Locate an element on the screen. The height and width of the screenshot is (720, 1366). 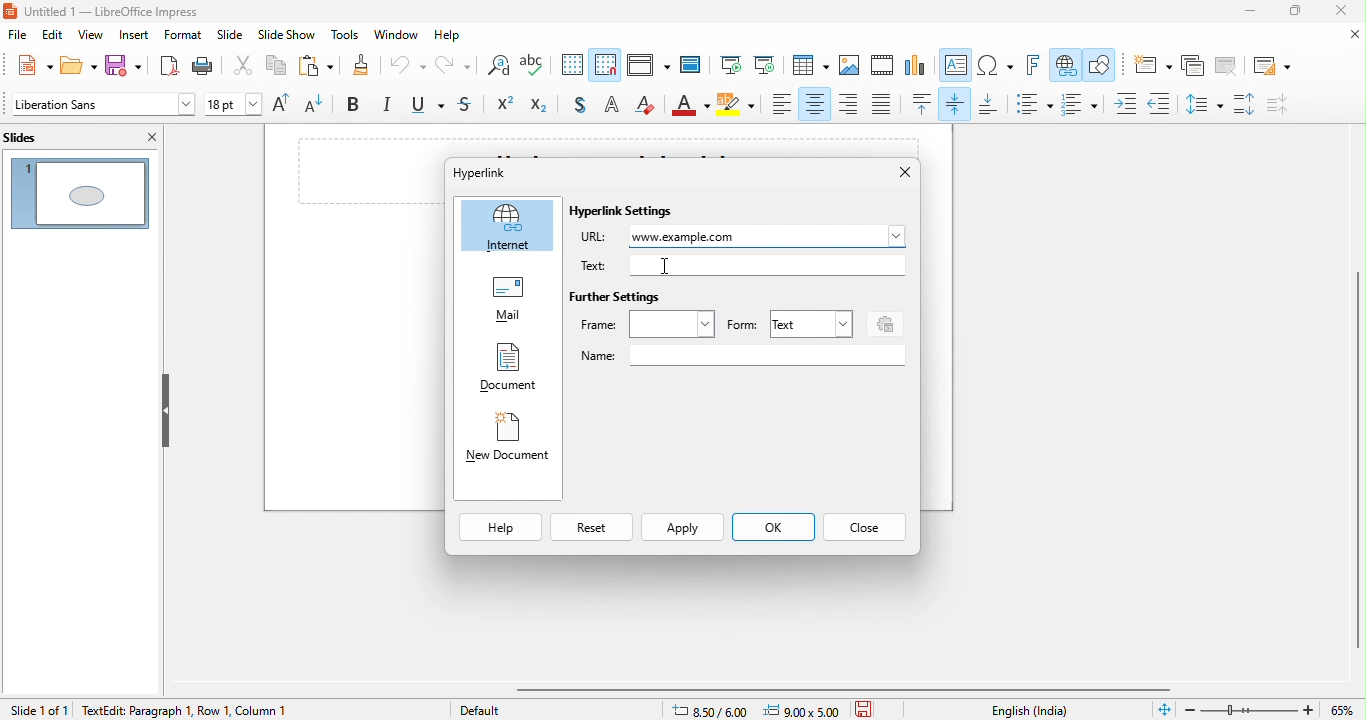
spelling is located at coordinates (538, 67).